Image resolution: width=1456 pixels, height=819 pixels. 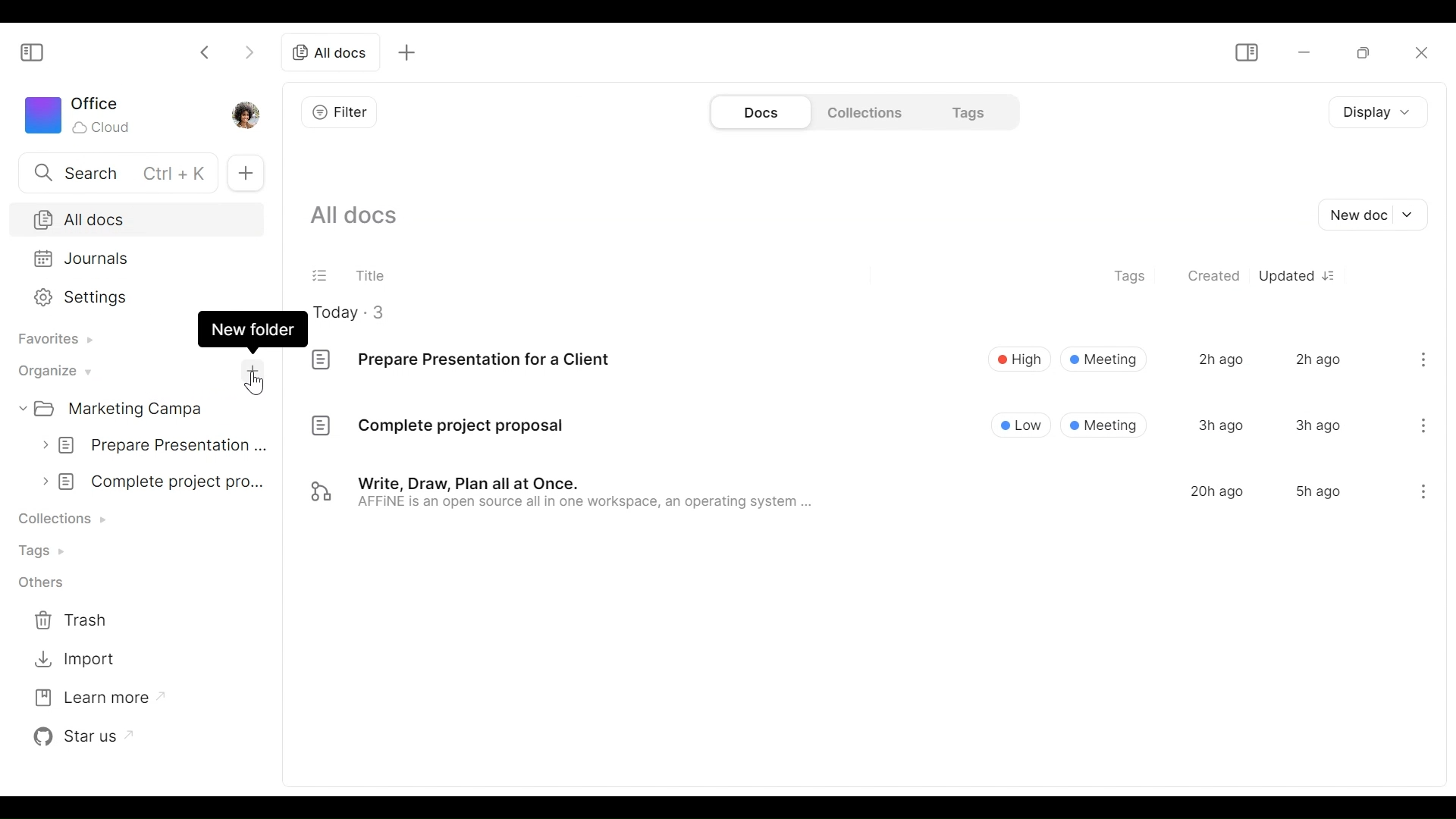 I want to click on Settings, so click(x=133, y=296).